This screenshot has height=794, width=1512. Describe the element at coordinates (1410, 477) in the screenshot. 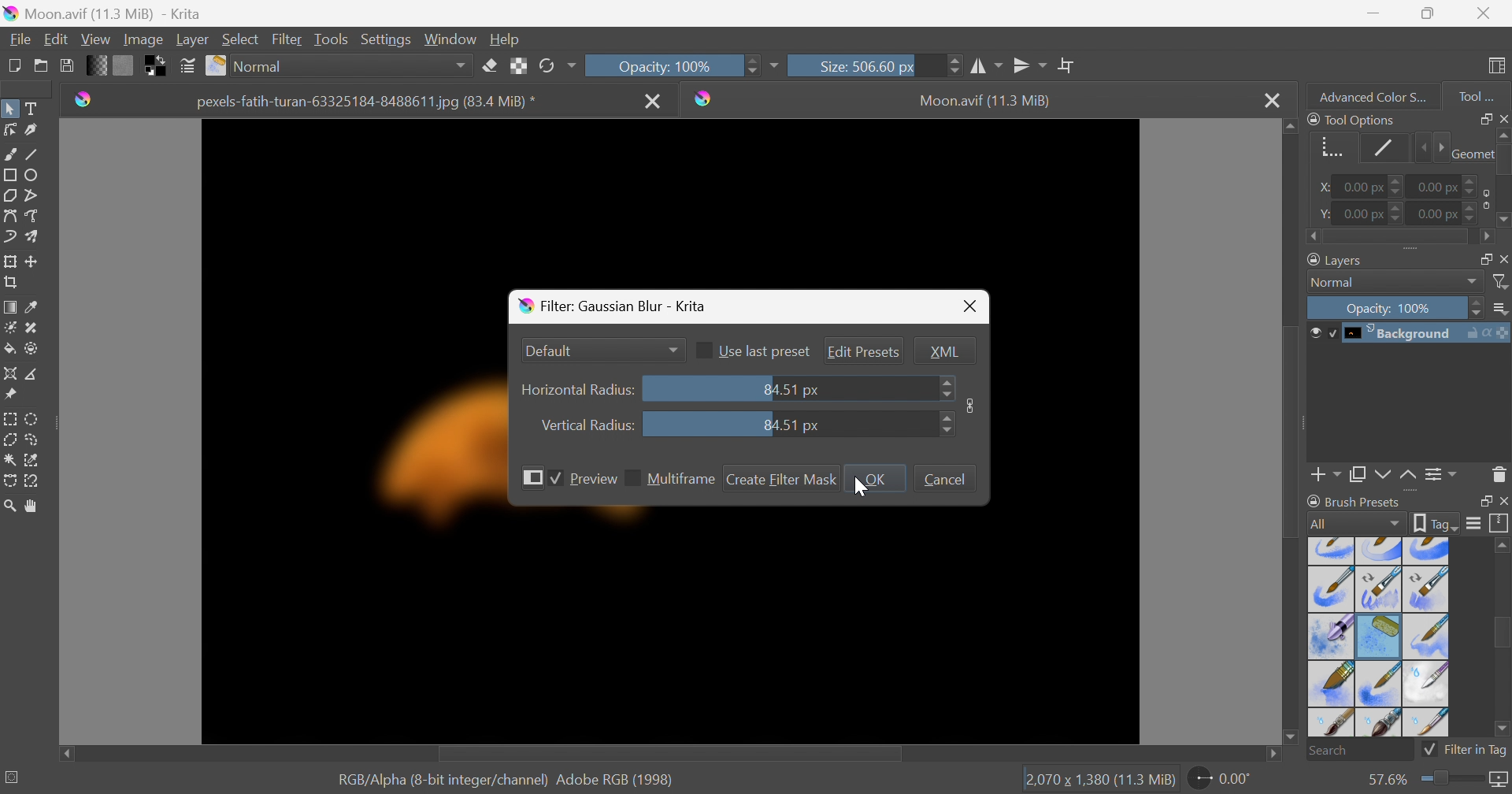

I see `Move layer or mask up` at that location.